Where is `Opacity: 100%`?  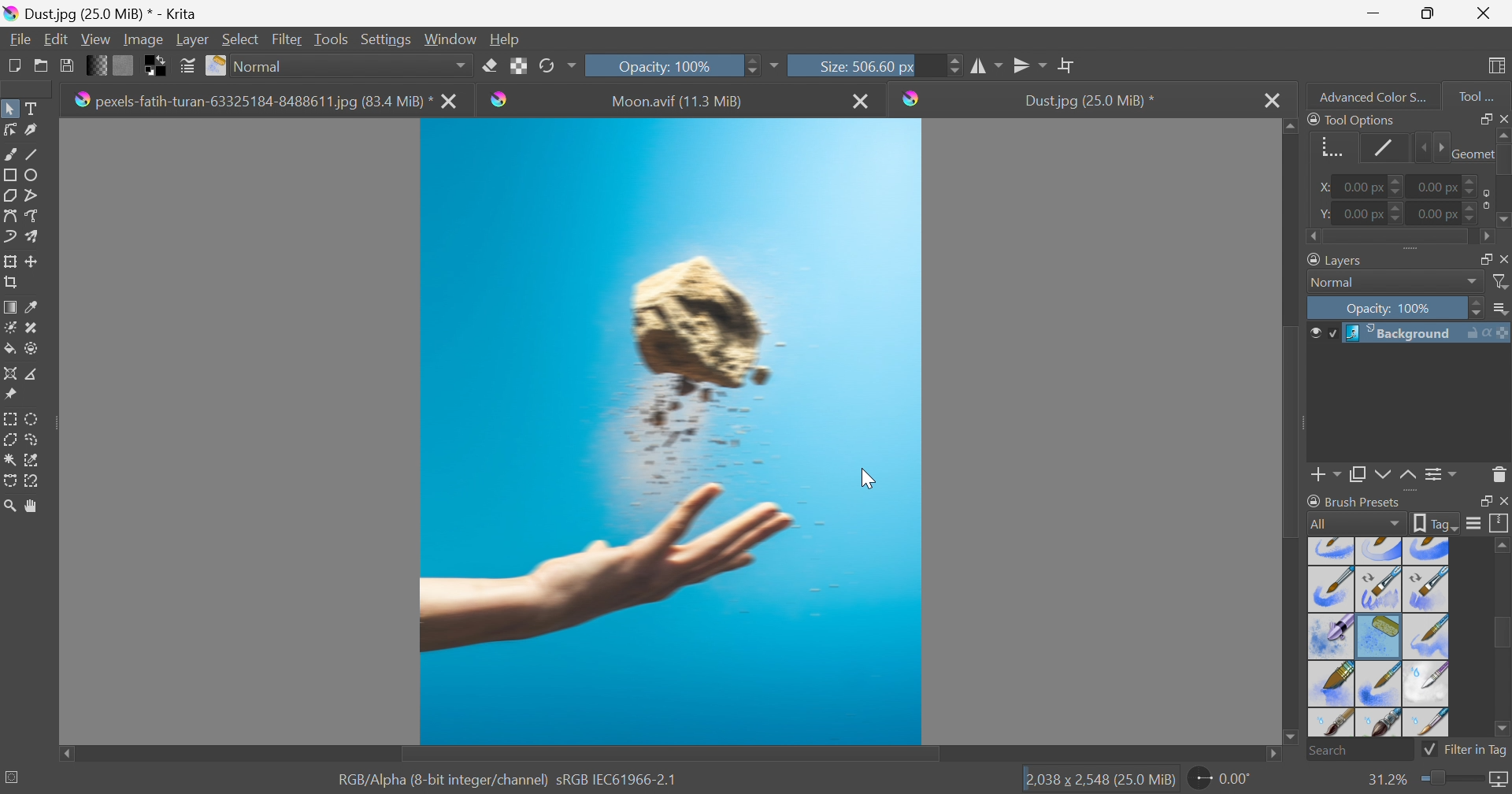
Opacity: 100% is located at coordinates (1392, 310).